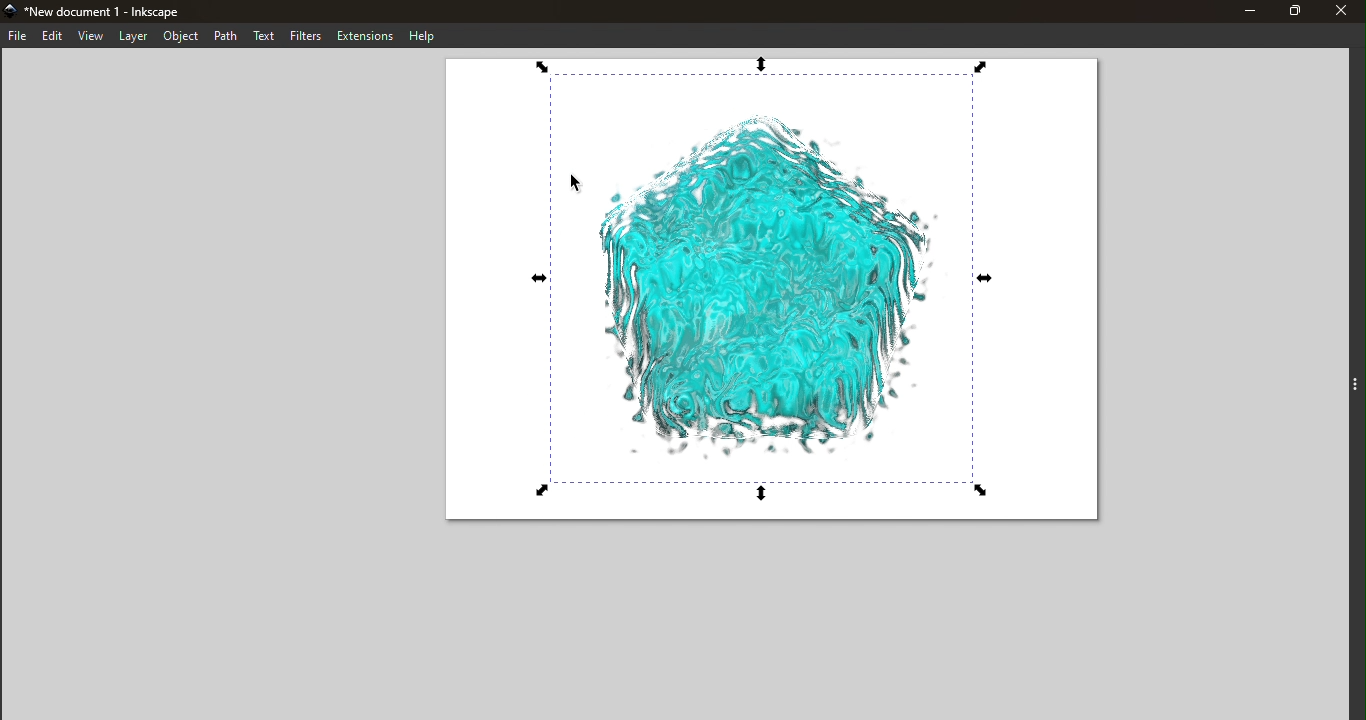  What do you see at coordinates (91, 38) in the screenshot?
I see `View` at bounding box center [91, 38].